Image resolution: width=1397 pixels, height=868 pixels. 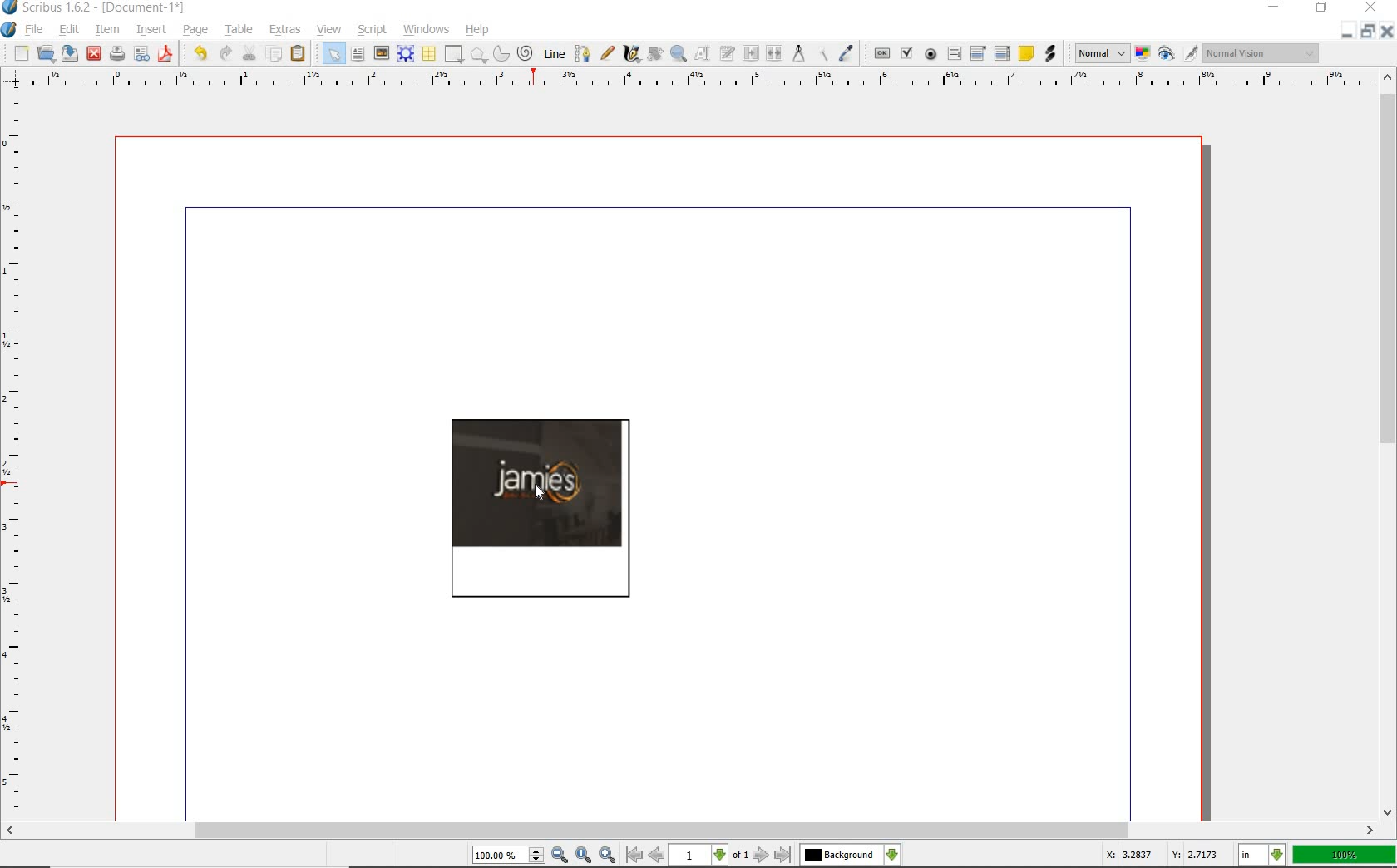 What do you see at coordinates (882, 54) in the screenshot?
I see `pdf push button` at bounding box center [882, 54].